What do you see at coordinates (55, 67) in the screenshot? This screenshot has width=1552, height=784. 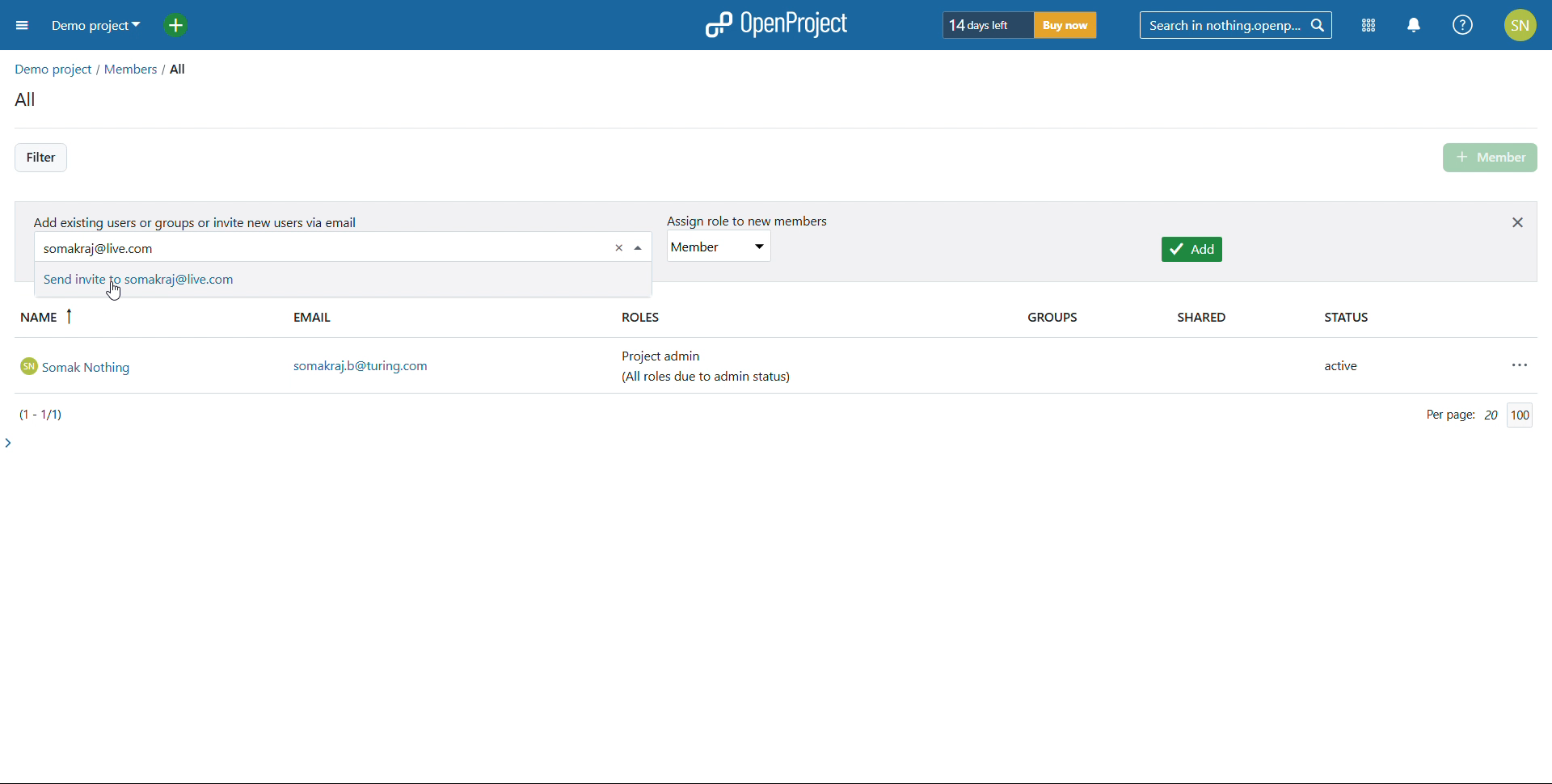 I see `demo projects/` at bounding box center [55, 67].